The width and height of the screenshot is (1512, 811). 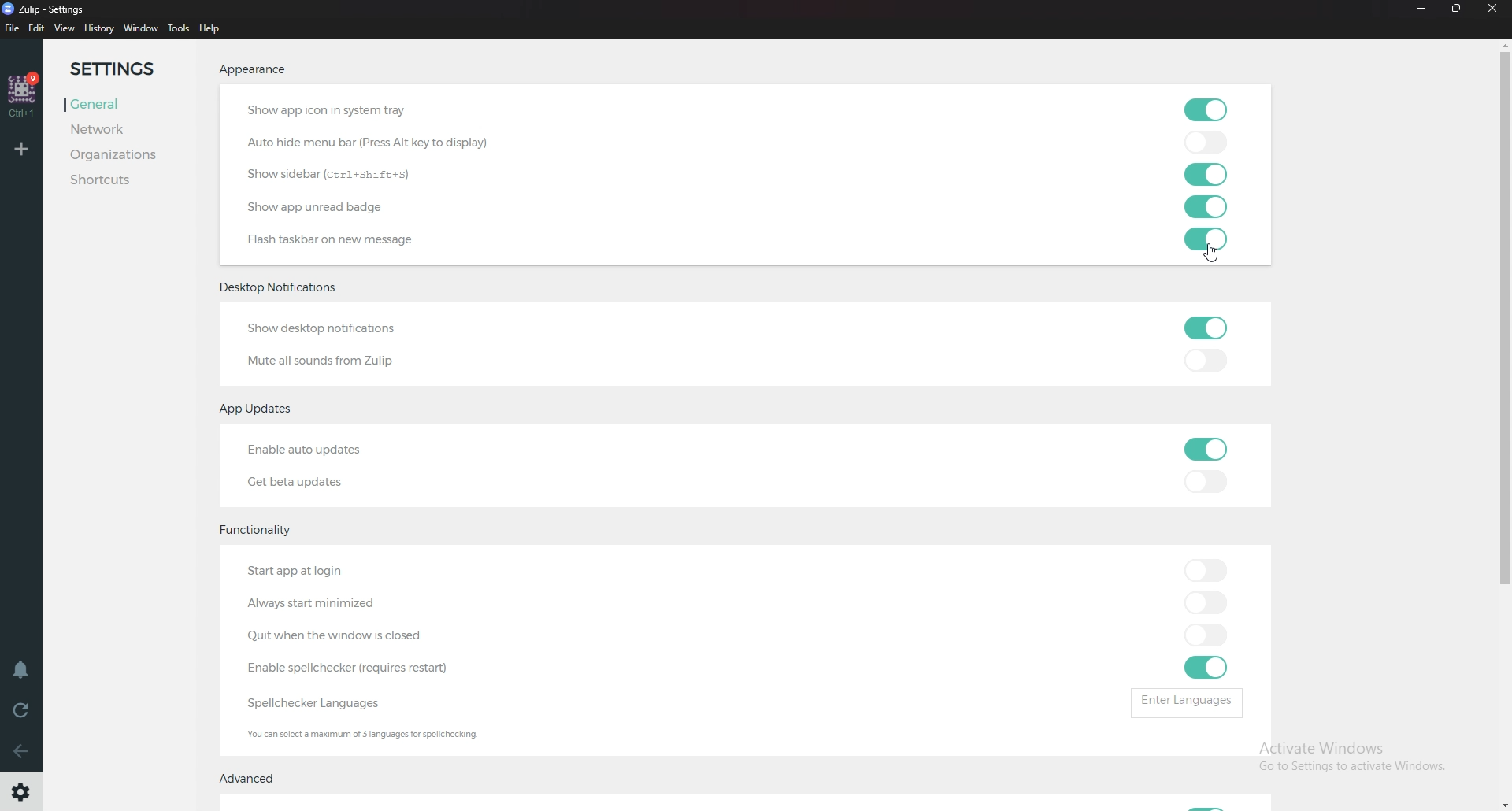 What do you see at coordinates (337, 175) in the screenshot?
I see `Show sidebar` at bounding box center [337, 175].